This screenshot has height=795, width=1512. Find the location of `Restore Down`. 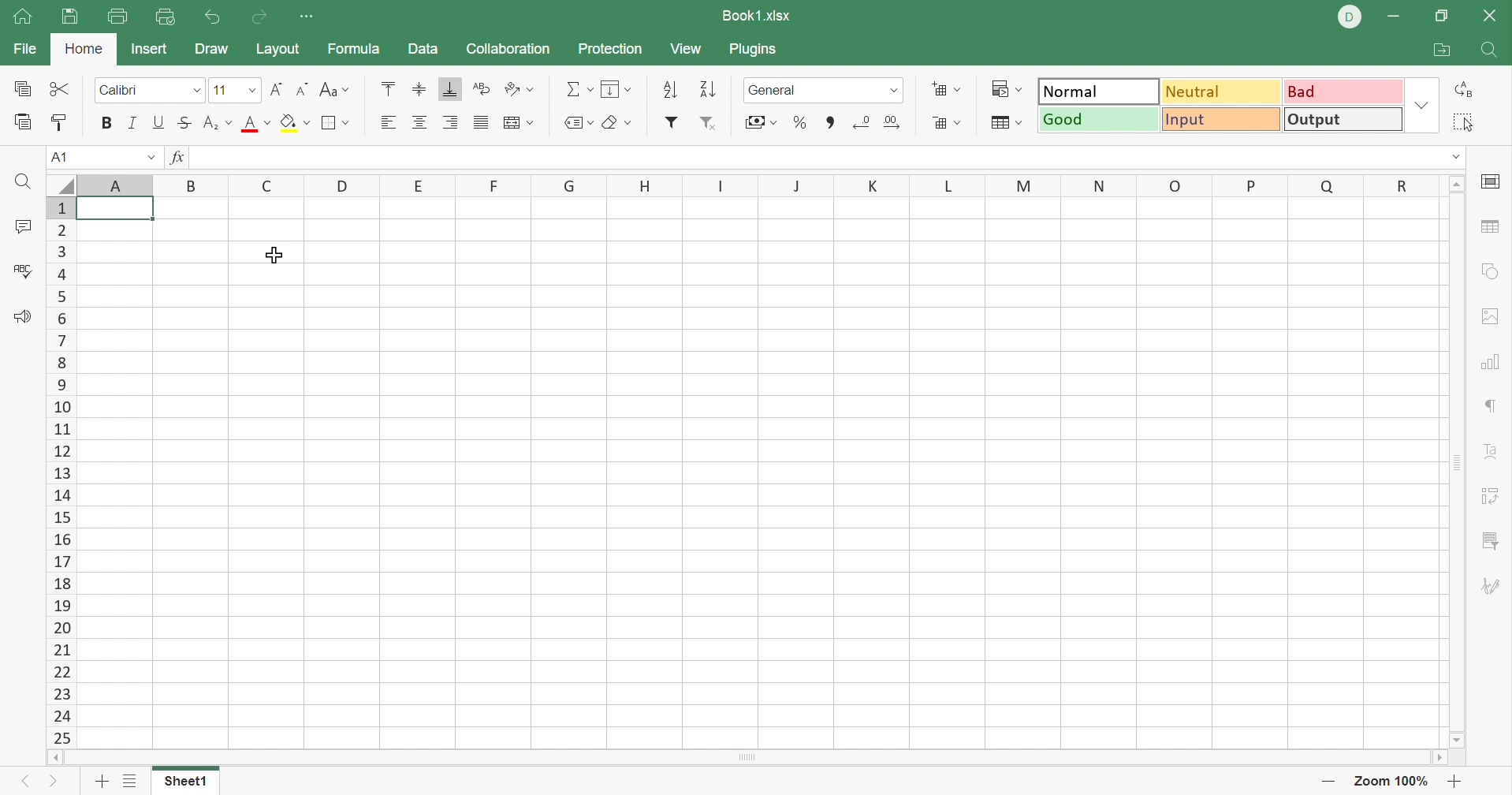

Restore Down is located at coordinates (1439, 17).